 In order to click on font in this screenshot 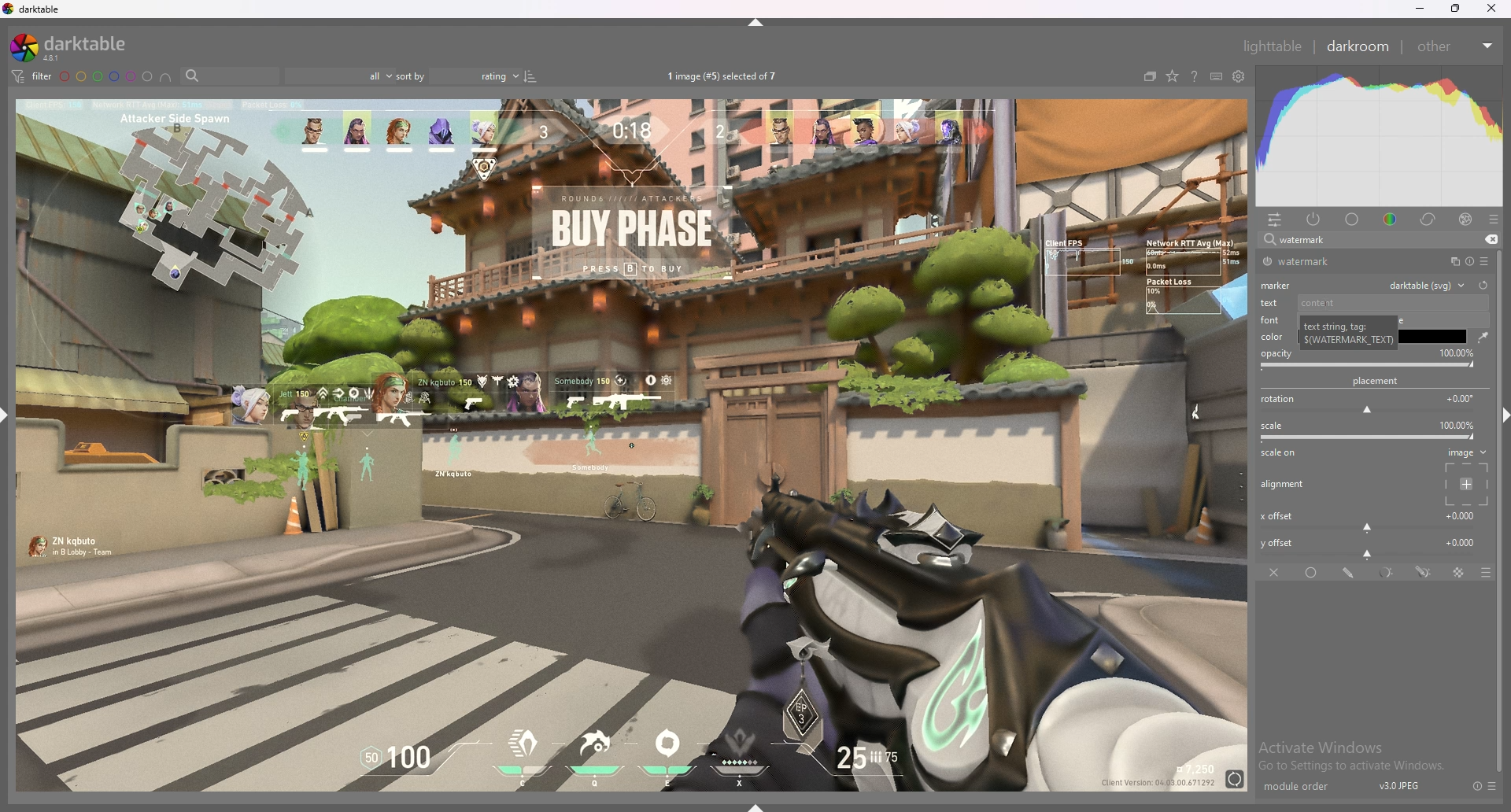, I will do `click(1275, 321)`.